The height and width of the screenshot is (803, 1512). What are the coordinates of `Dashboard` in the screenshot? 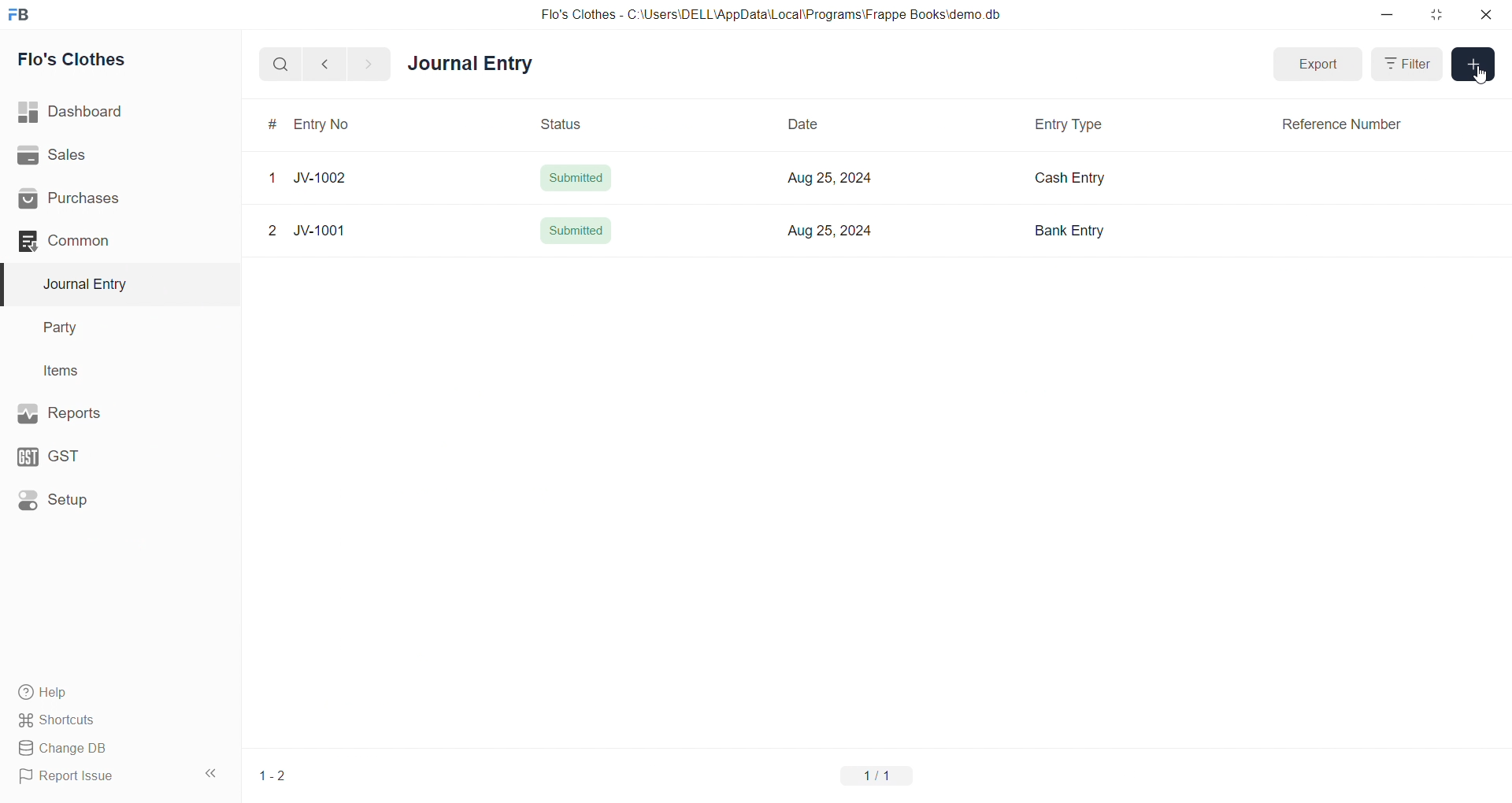 It's located at (116, 112).